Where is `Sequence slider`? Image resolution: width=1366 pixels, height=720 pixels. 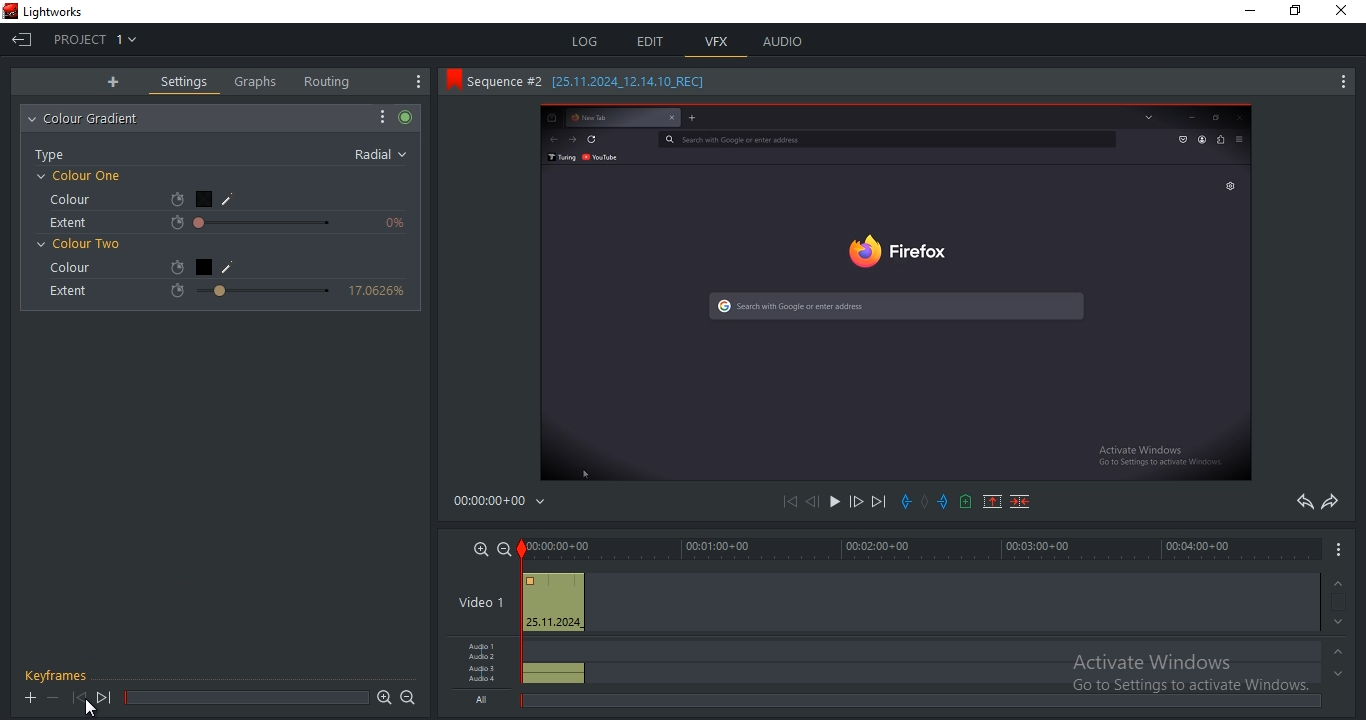 Sequence slider is located at coordinates (524, 608).